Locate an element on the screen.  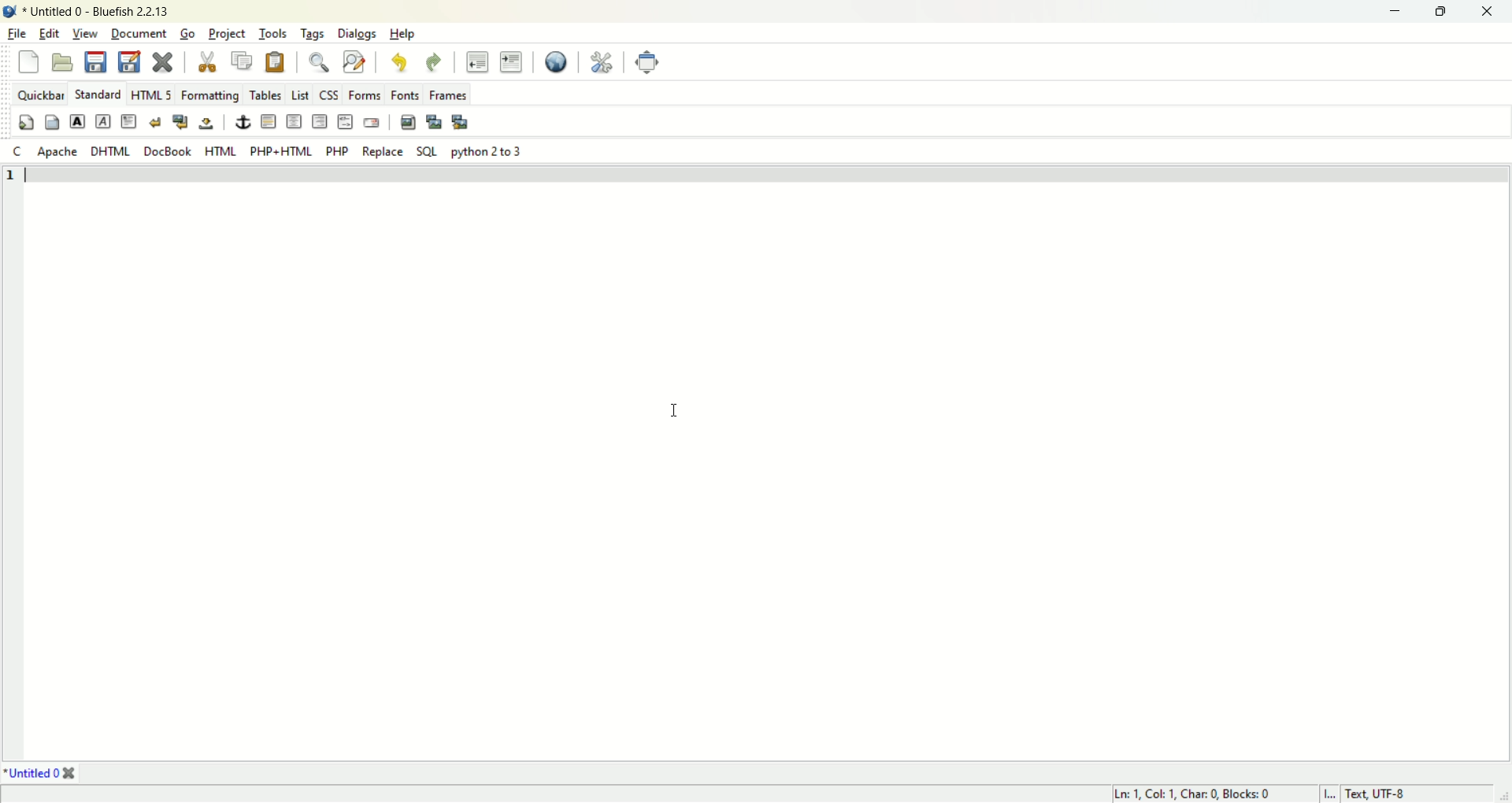
document is located at coordinates (139, 34).